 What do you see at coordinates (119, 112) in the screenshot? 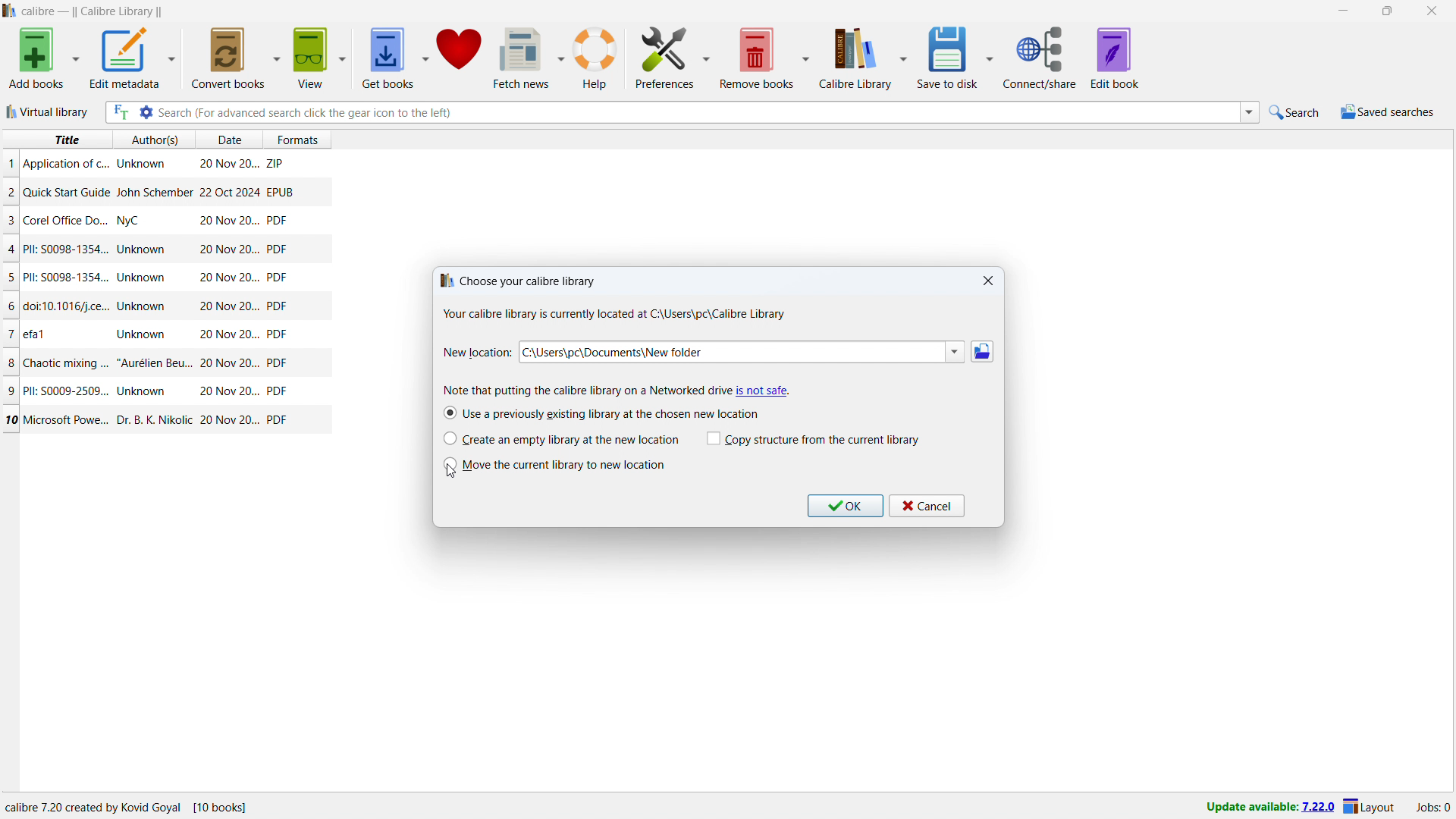
I see `full text search` at bounding box center [119, 112].